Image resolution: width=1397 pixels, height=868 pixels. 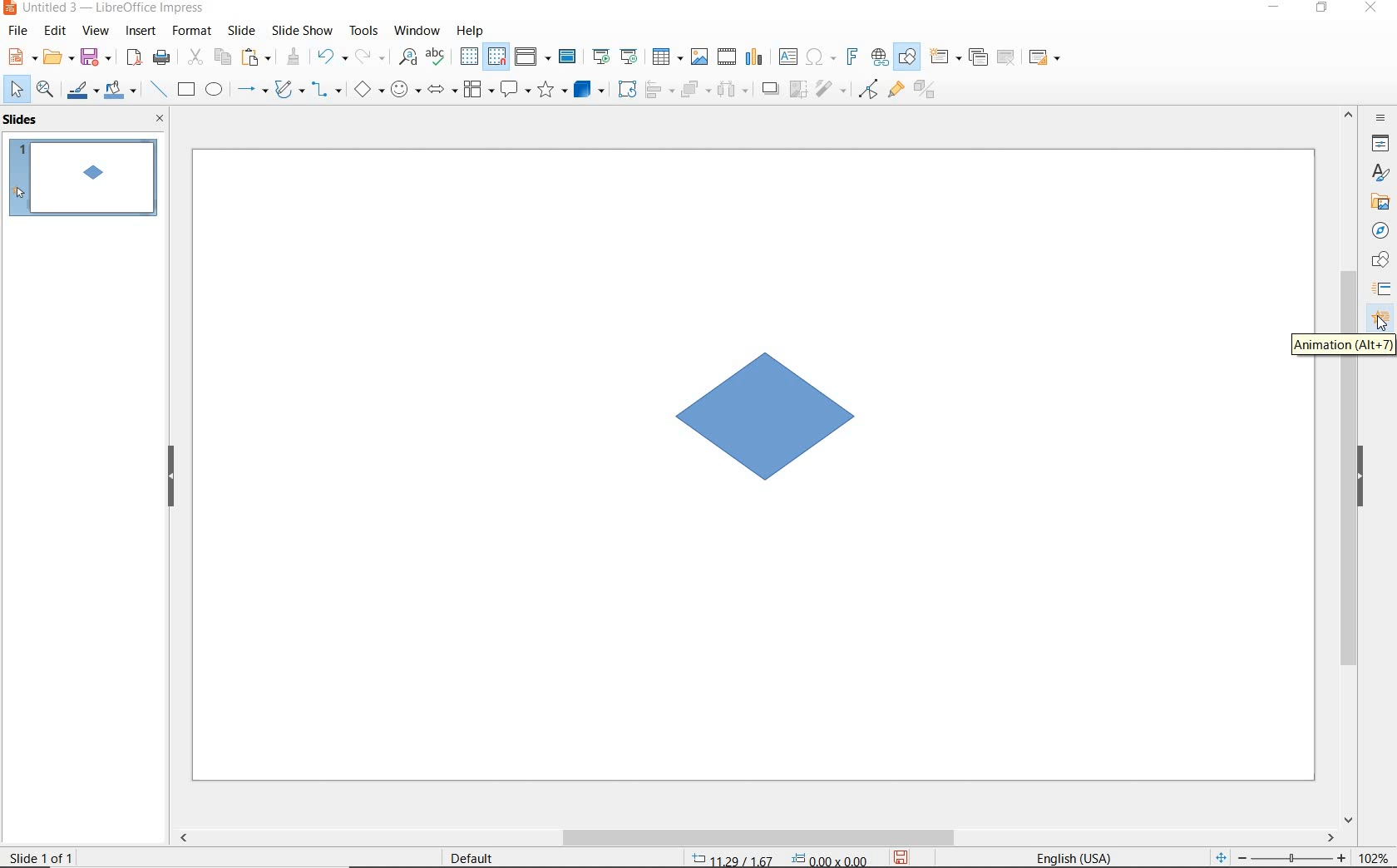 What do you see at coordinates (1078, 855) in the screenshot?
I see `text language` at bounding box center [1078, 855].